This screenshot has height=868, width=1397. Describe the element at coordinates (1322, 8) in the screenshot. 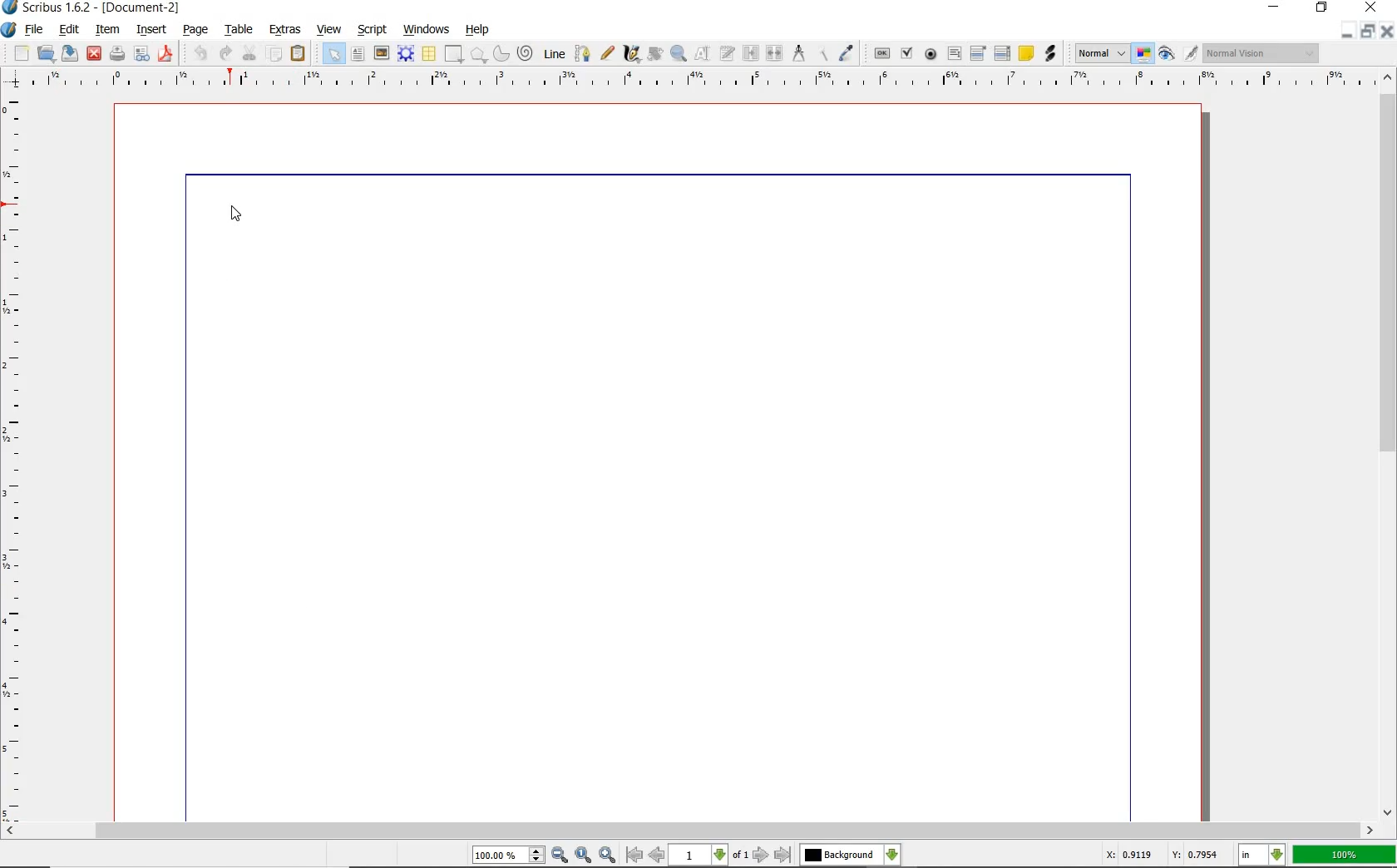

I see `restore` at that location.